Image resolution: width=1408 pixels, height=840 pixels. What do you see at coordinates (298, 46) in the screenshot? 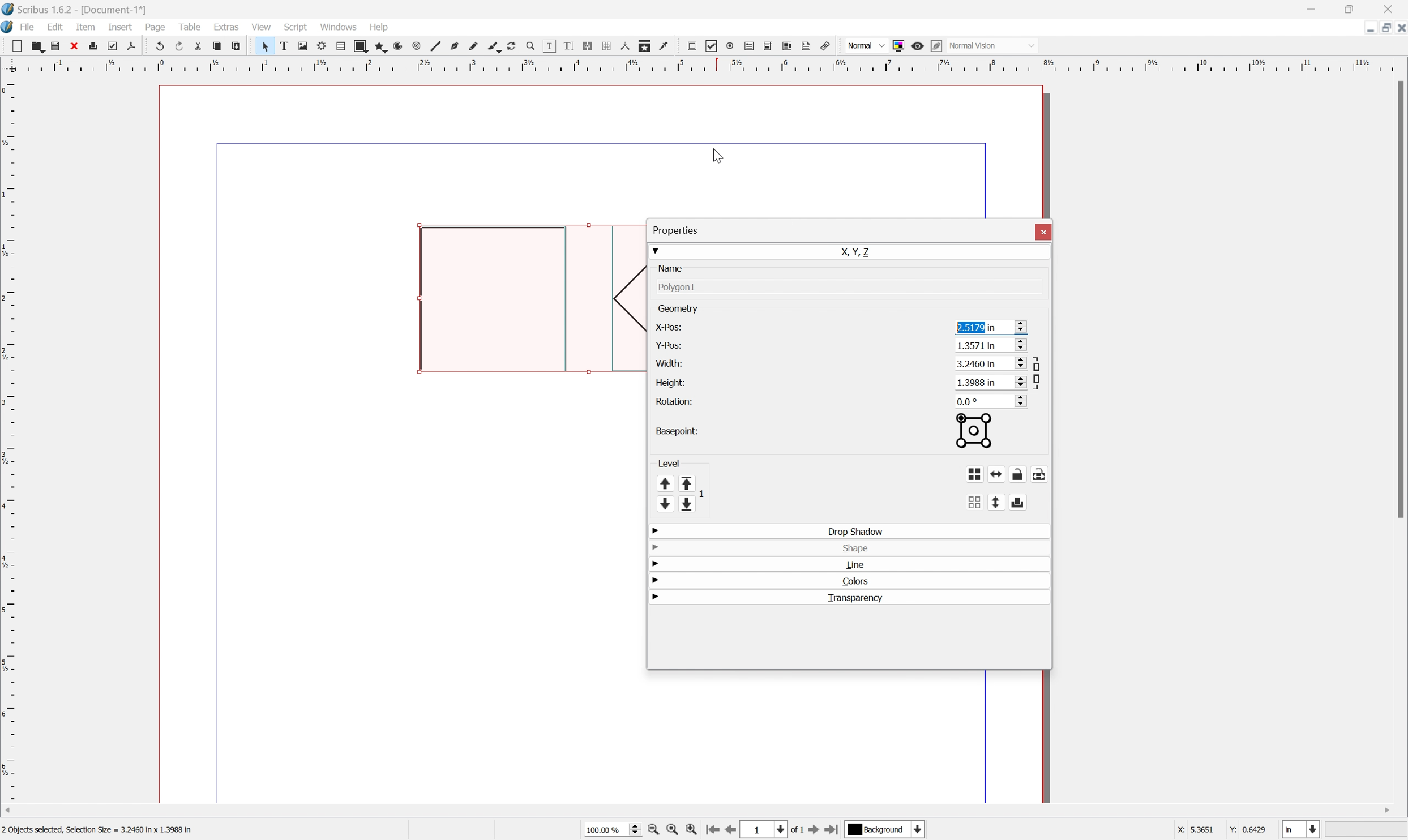
I see `image frame` at bounding box center [298, 46].